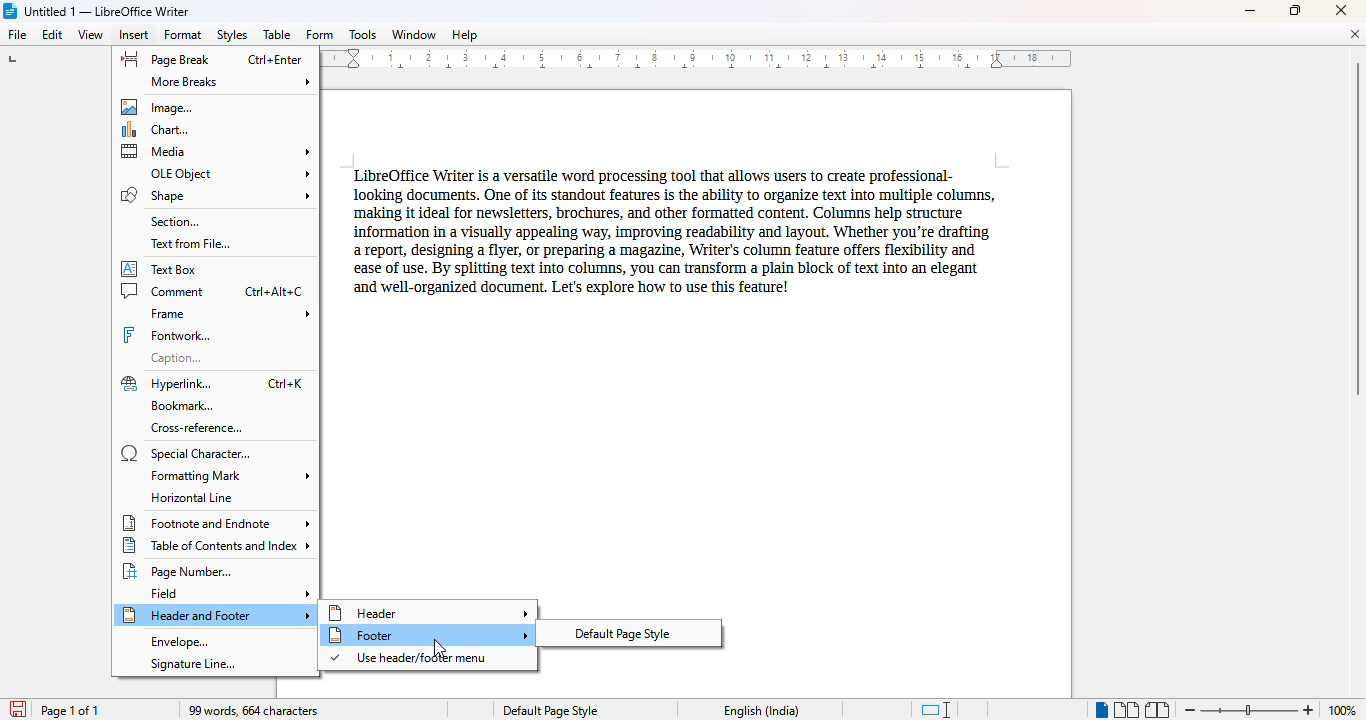 This screenshot has width=1366, height=720. Describe the element at coordinates (410, 658) in the screenshot. I see `use header/footer menu` at that location.